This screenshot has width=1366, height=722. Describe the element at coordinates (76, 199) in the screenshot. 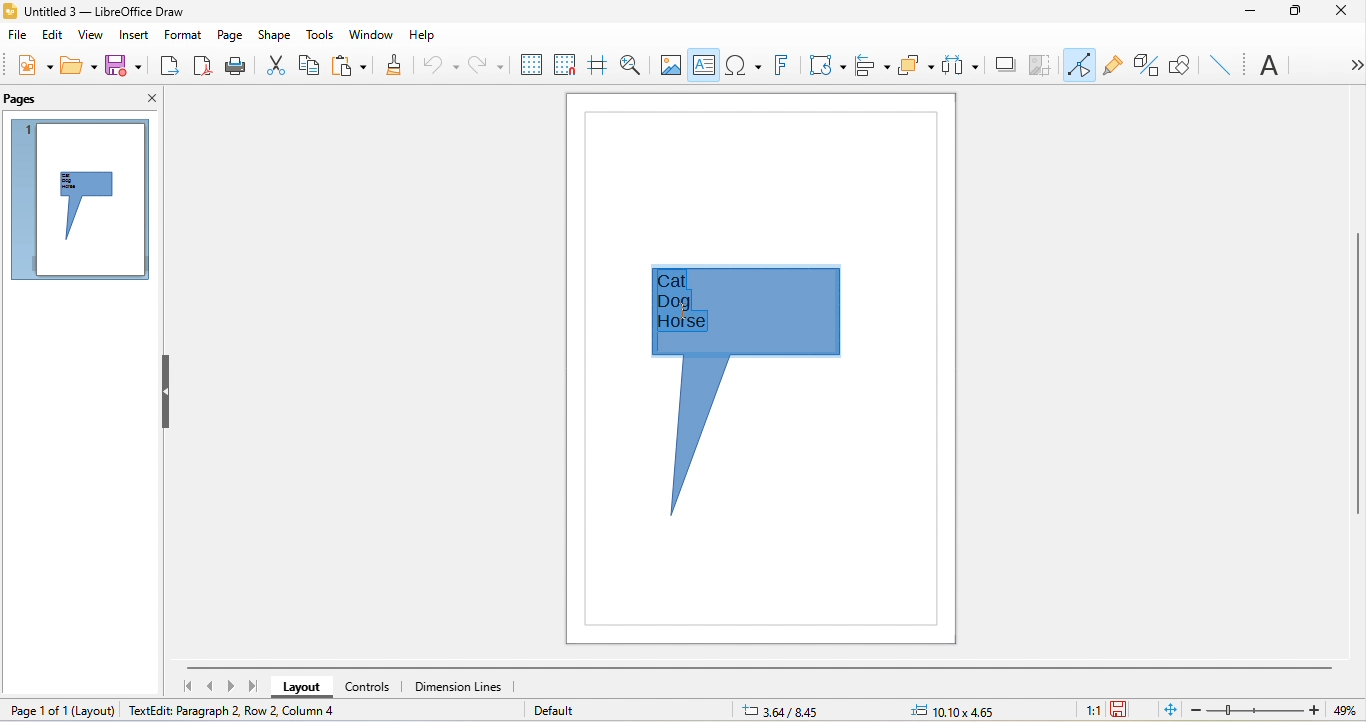

I see `page 1` at that location.